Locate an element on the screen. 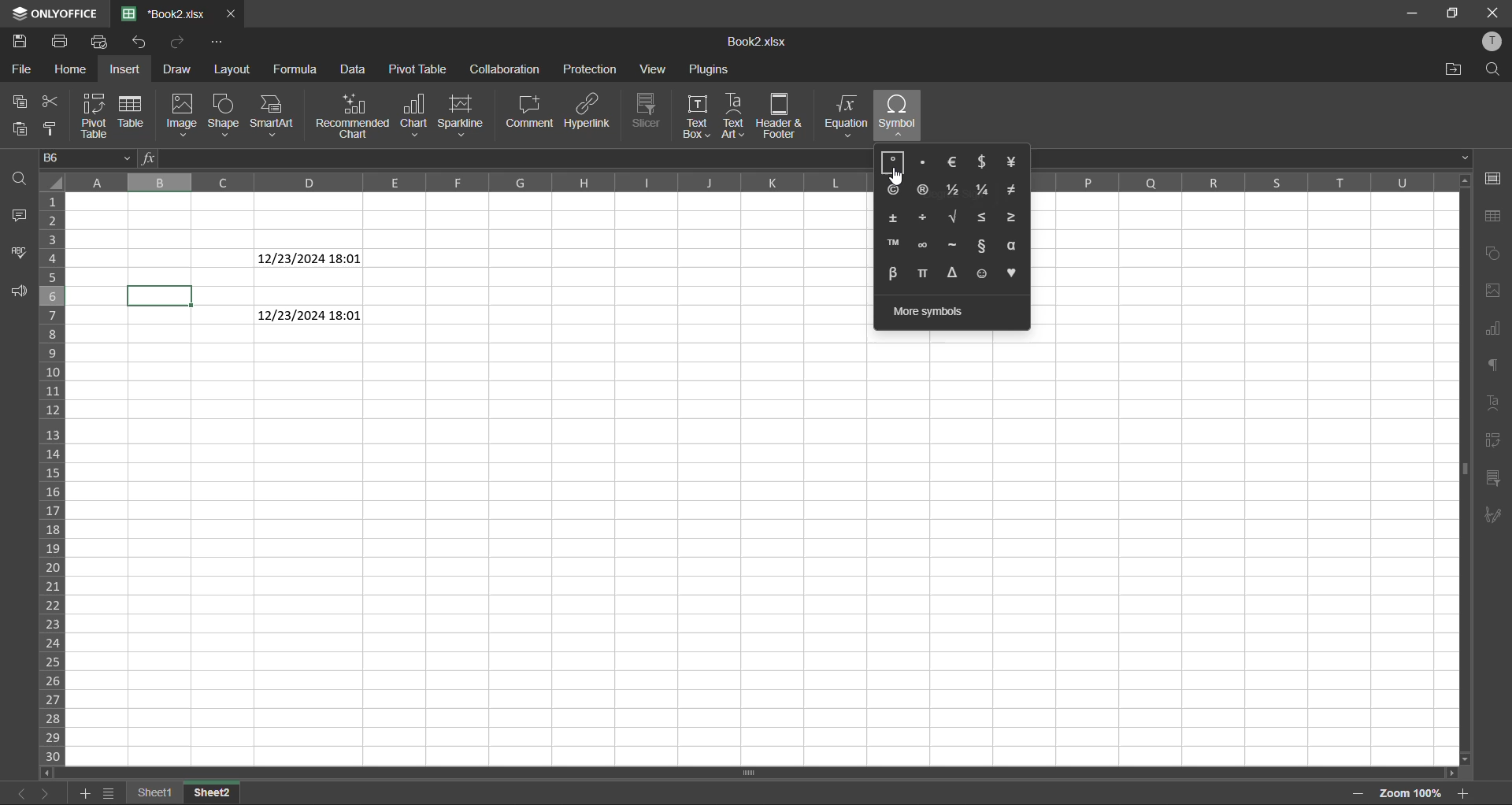 Image resolution: width=1512 pixels, height=805 pixels. paragraph is located at coordinates (1494, 368).